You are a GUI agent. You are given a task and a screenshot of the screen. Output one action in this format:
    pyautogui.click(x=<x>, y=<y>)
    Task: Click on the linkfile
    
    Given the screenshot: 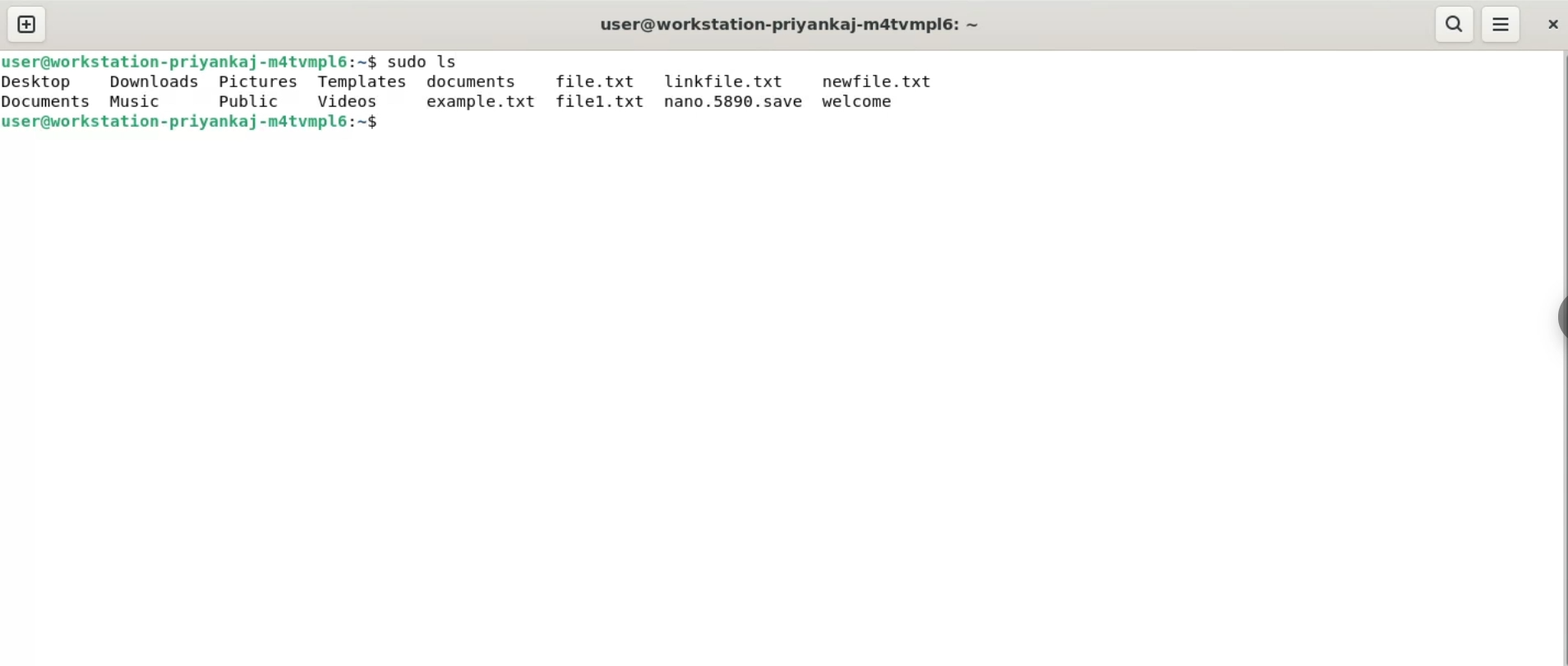 What is the action you would take?
    pyautogui.click(x=724, y=81)
    